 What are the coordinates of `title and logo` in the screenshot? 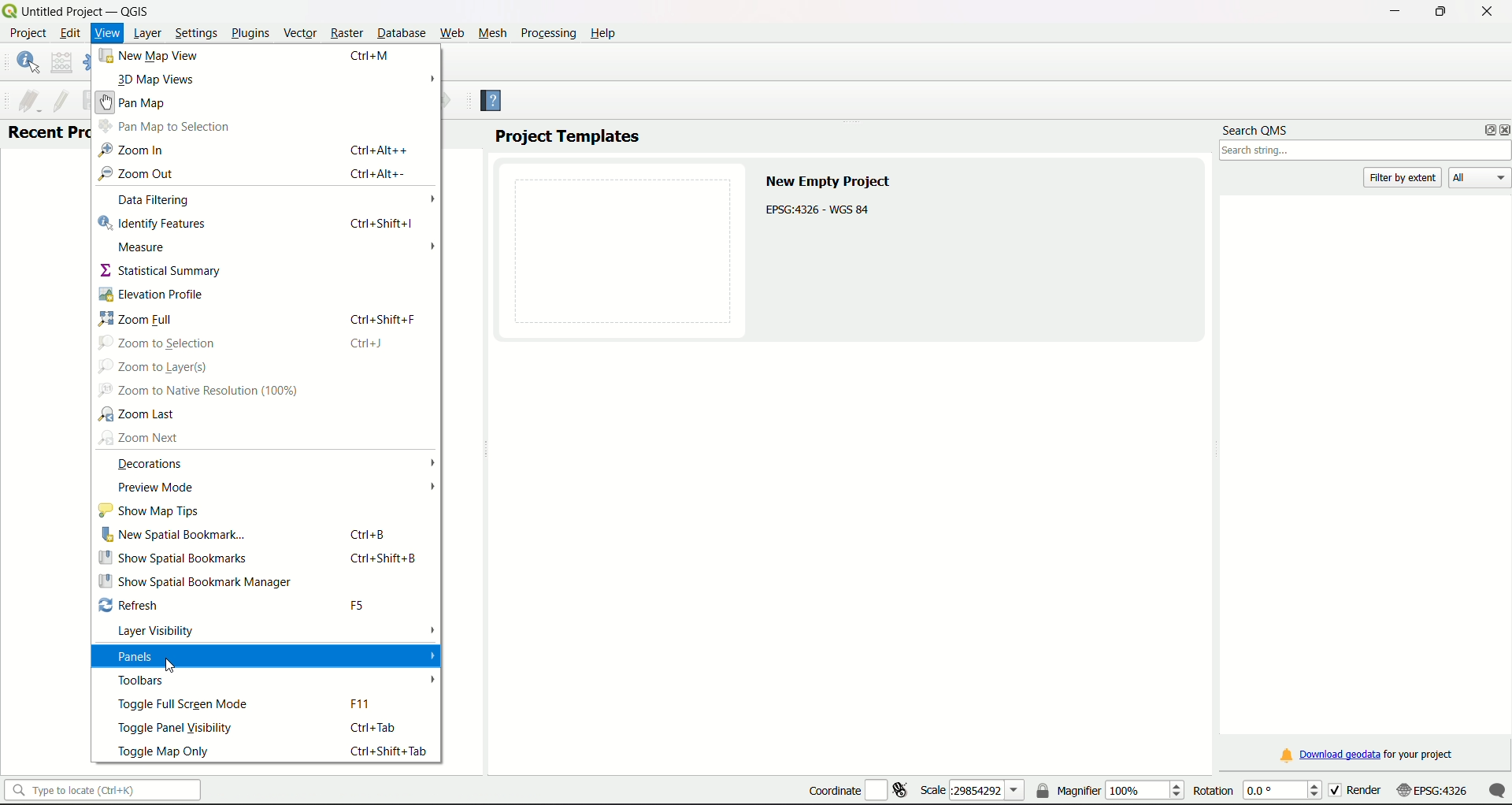 It's located at (79, 10).